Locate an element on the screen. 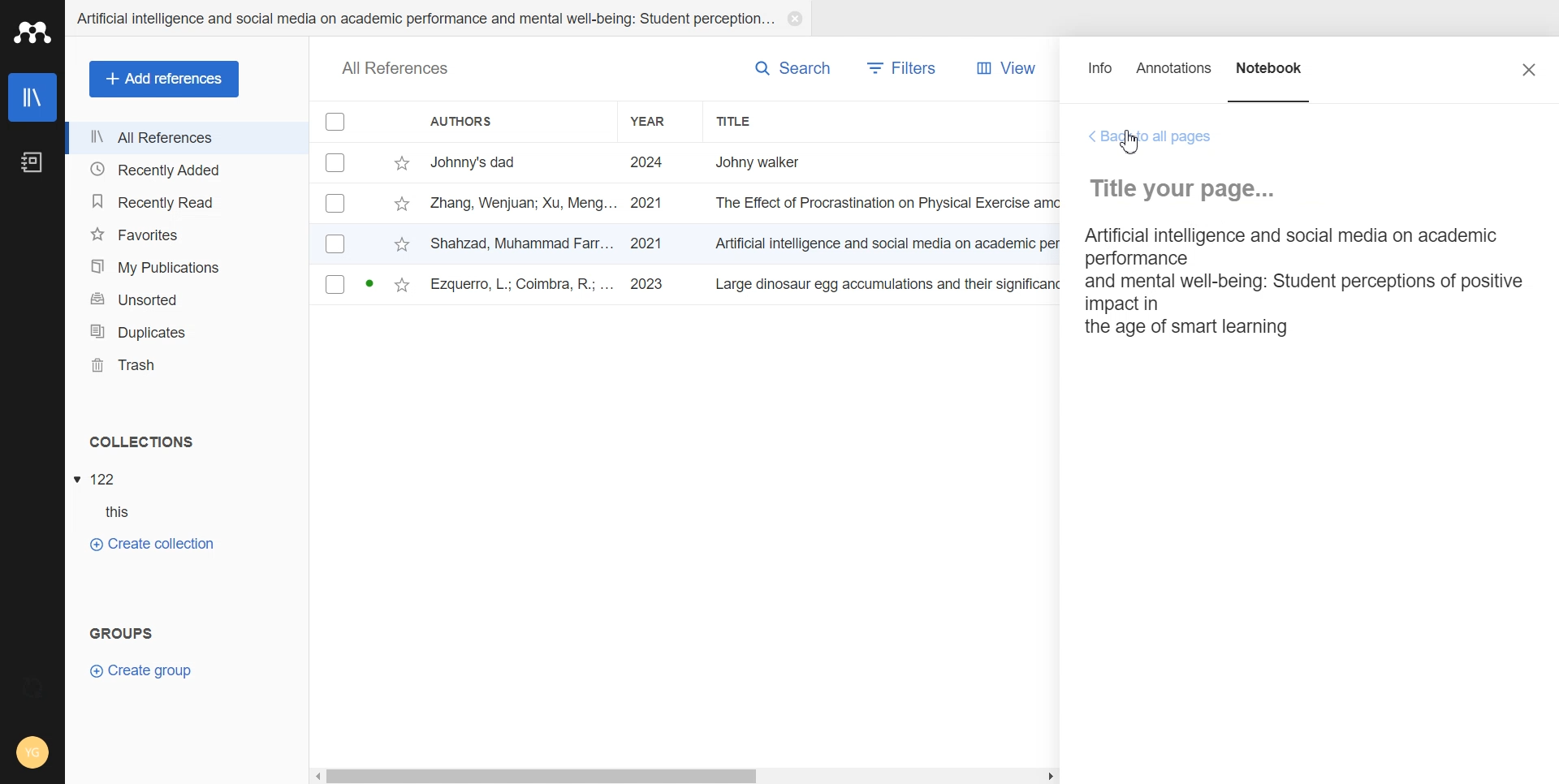 The height and width of the screenshot is (784, 1559). 2023 is located at coordinates (650, 285).